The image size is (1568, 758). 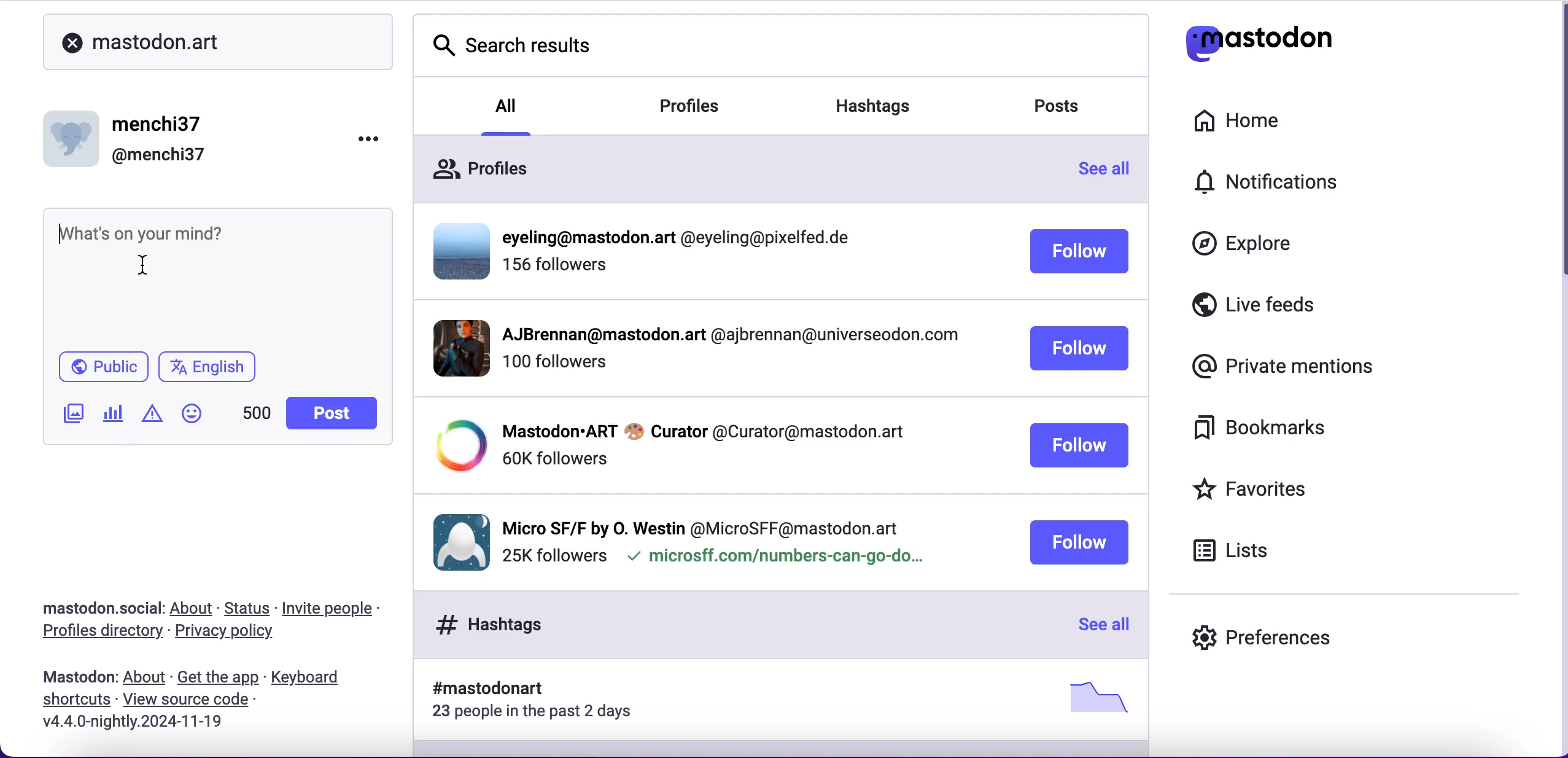 I want to click on display picture, so click(x=451, y=347).